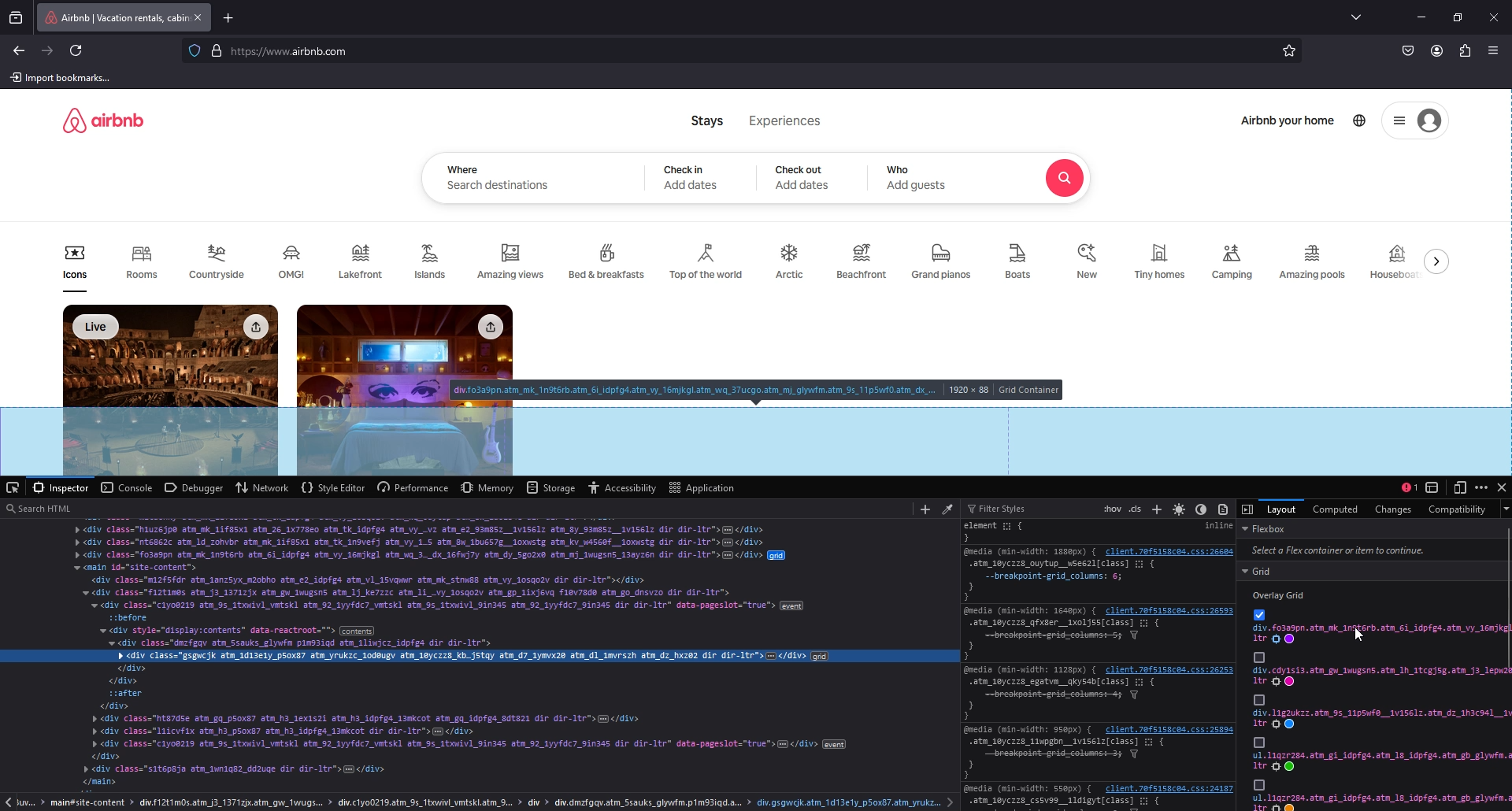 Image resolution: width=1512 pixels, height=811 pixels. What do you see at coordinates (454, 508) in the screenshot?
I see `search html` at bounding box center [454, 508].